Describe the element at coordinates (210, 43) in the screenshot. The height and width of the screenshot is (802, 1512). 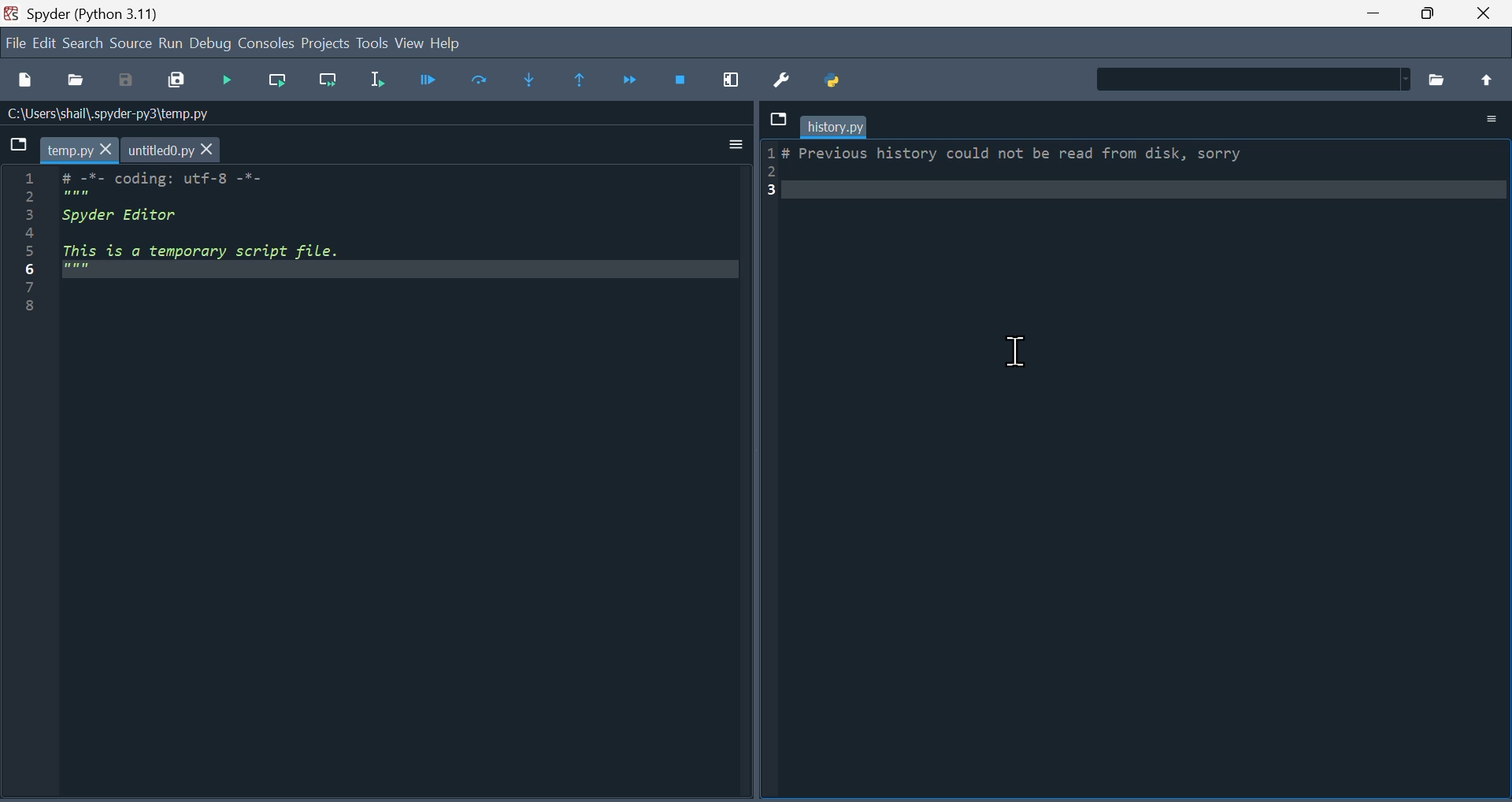
I see `Debug` at that location.